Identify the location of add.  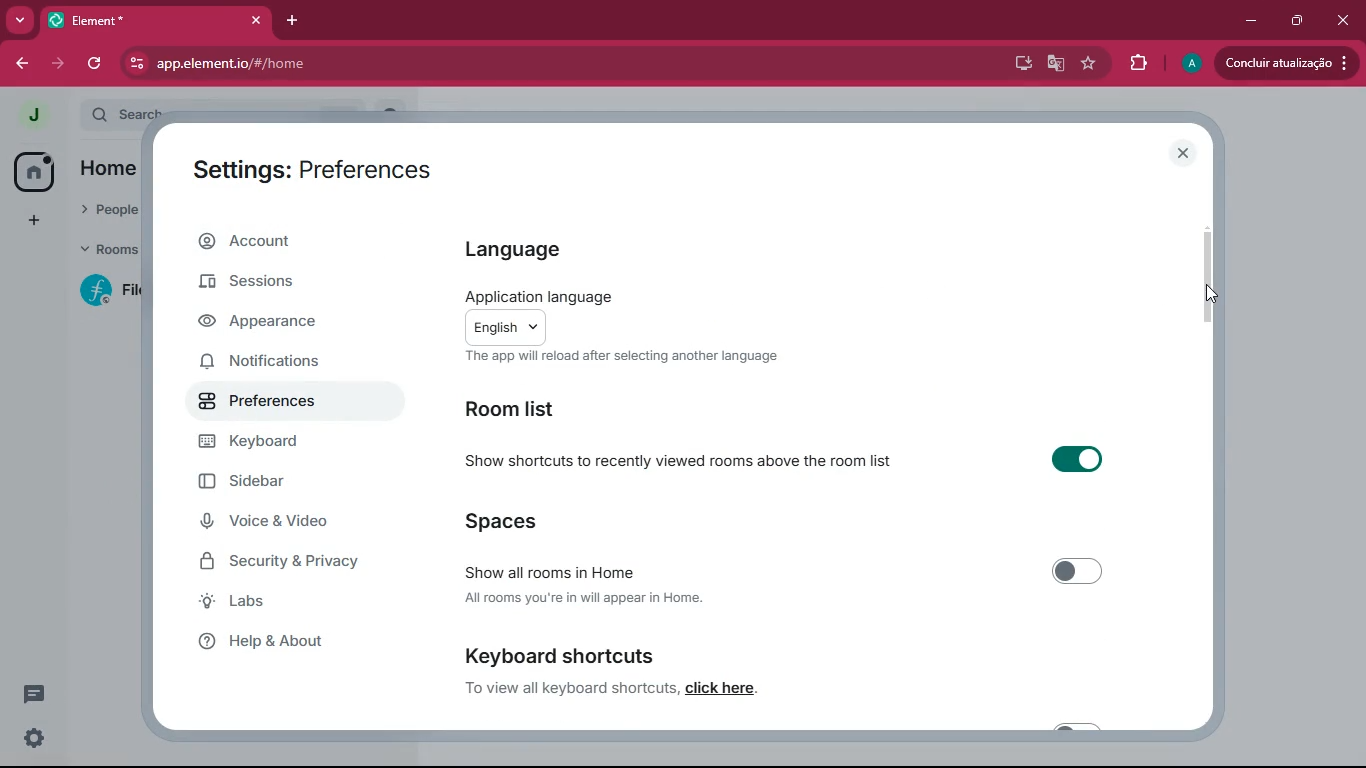
(30, 221).